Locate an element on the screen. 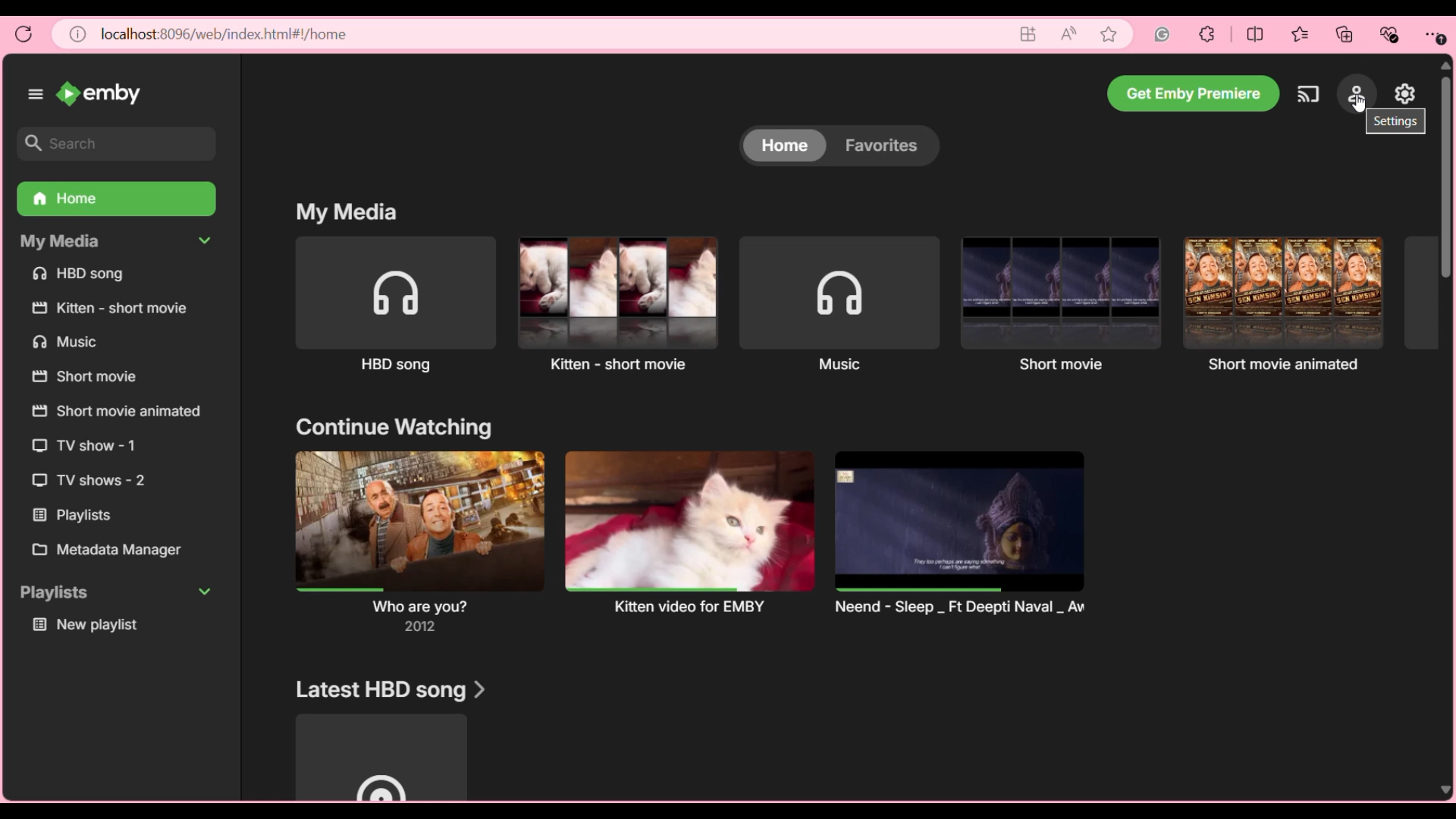 The image size is (1456, 819). Browser extensions is located at coordinates (1207, 34).